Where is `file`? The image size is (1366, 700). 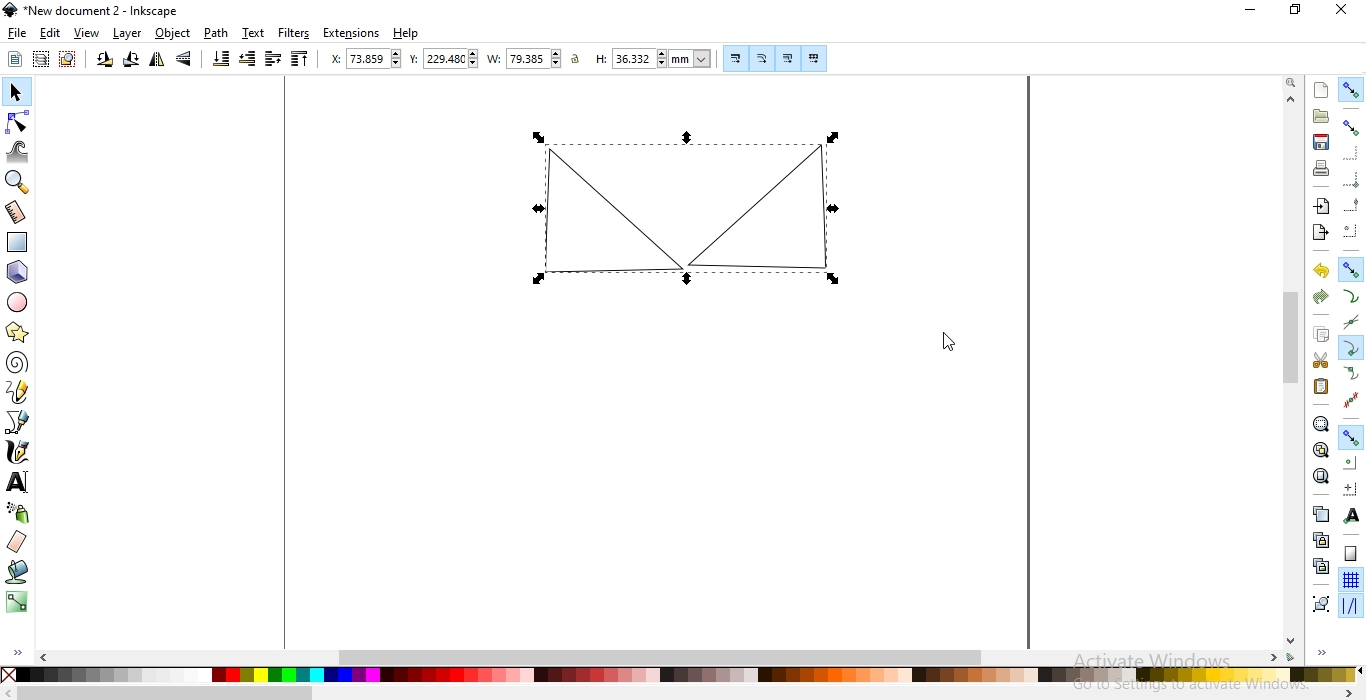
file is located at coordinates (17, 34).